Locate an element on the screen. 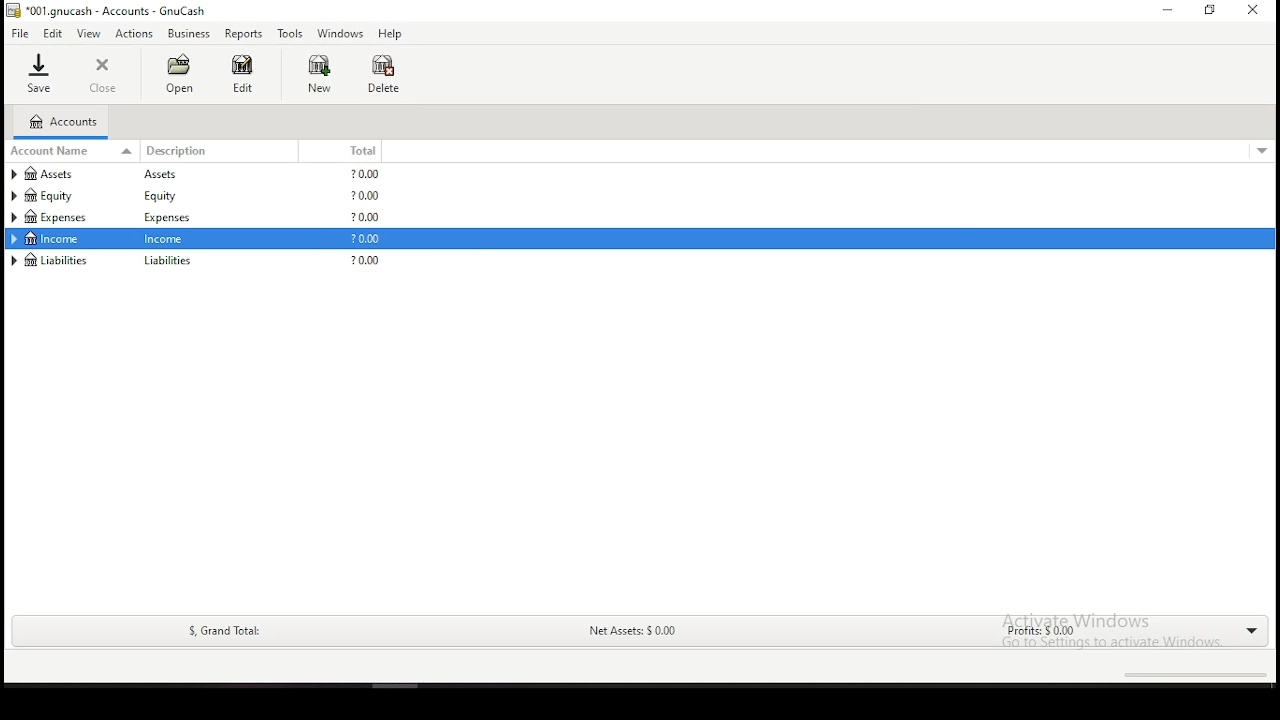  ? 0.00 is located at coordinates (361, 240).